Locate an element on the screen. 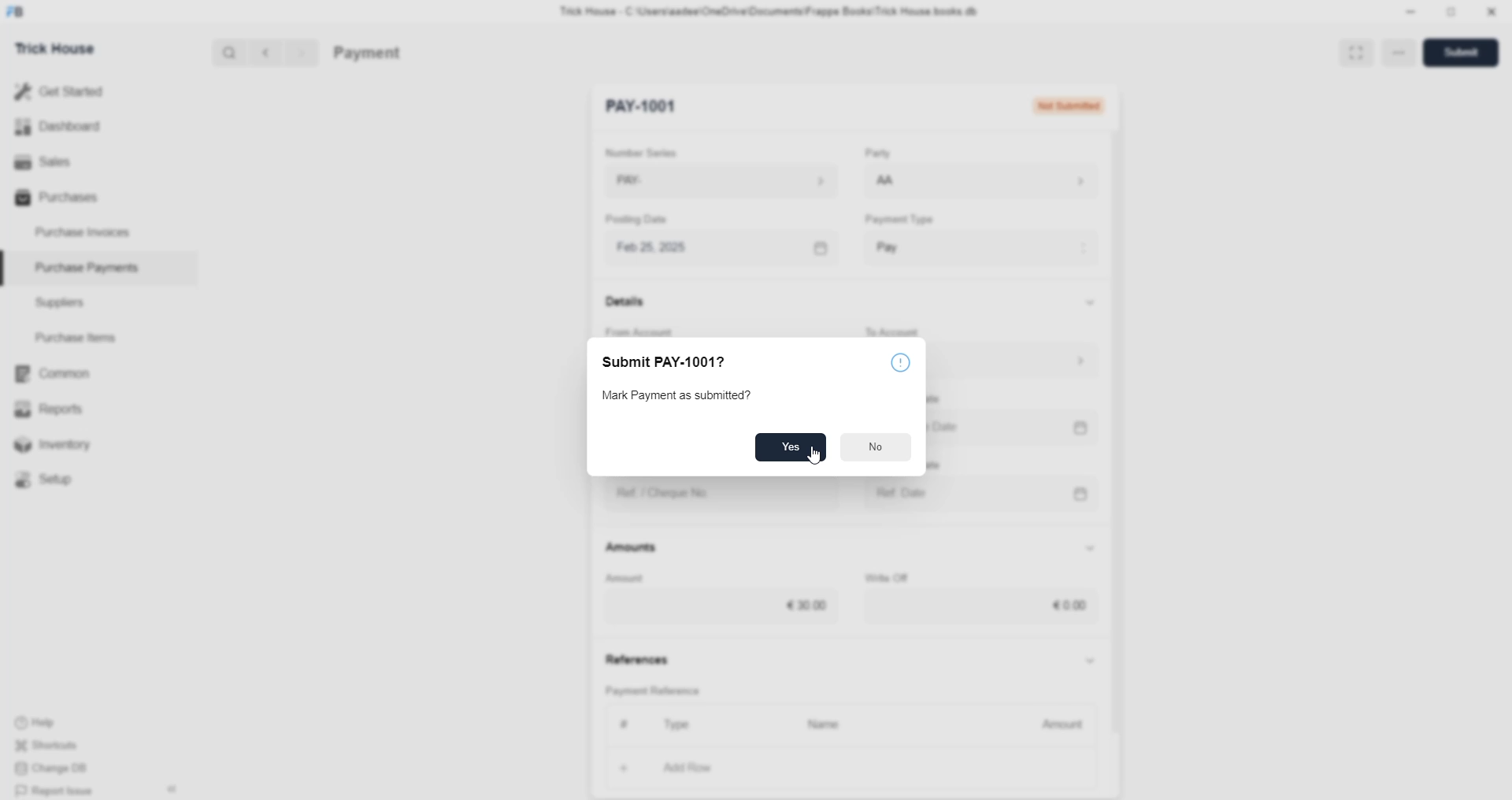 Image resolution: width=1512 pixels, height=800 pixels. common is located at coordinates (55, 374).